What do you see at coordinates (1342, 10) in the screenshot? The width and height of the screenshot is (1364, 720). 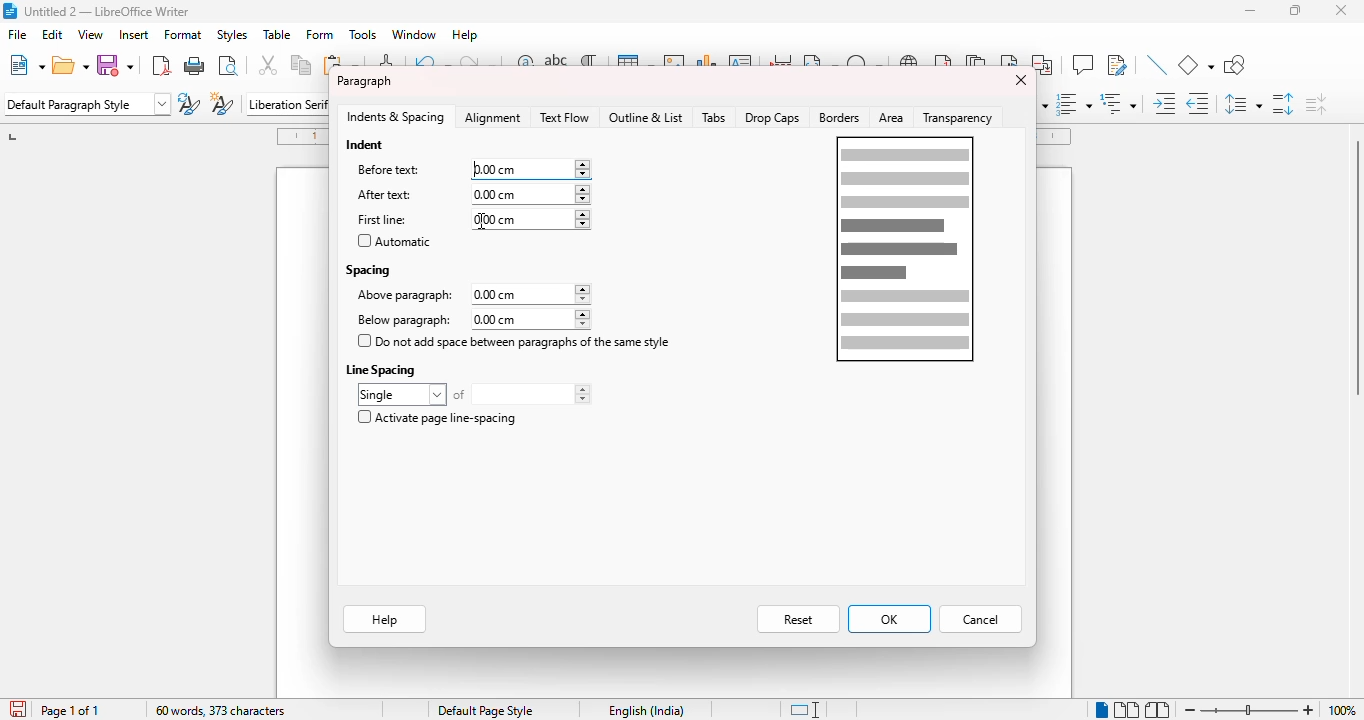 I see `close` at bounding box center [1342, 10].